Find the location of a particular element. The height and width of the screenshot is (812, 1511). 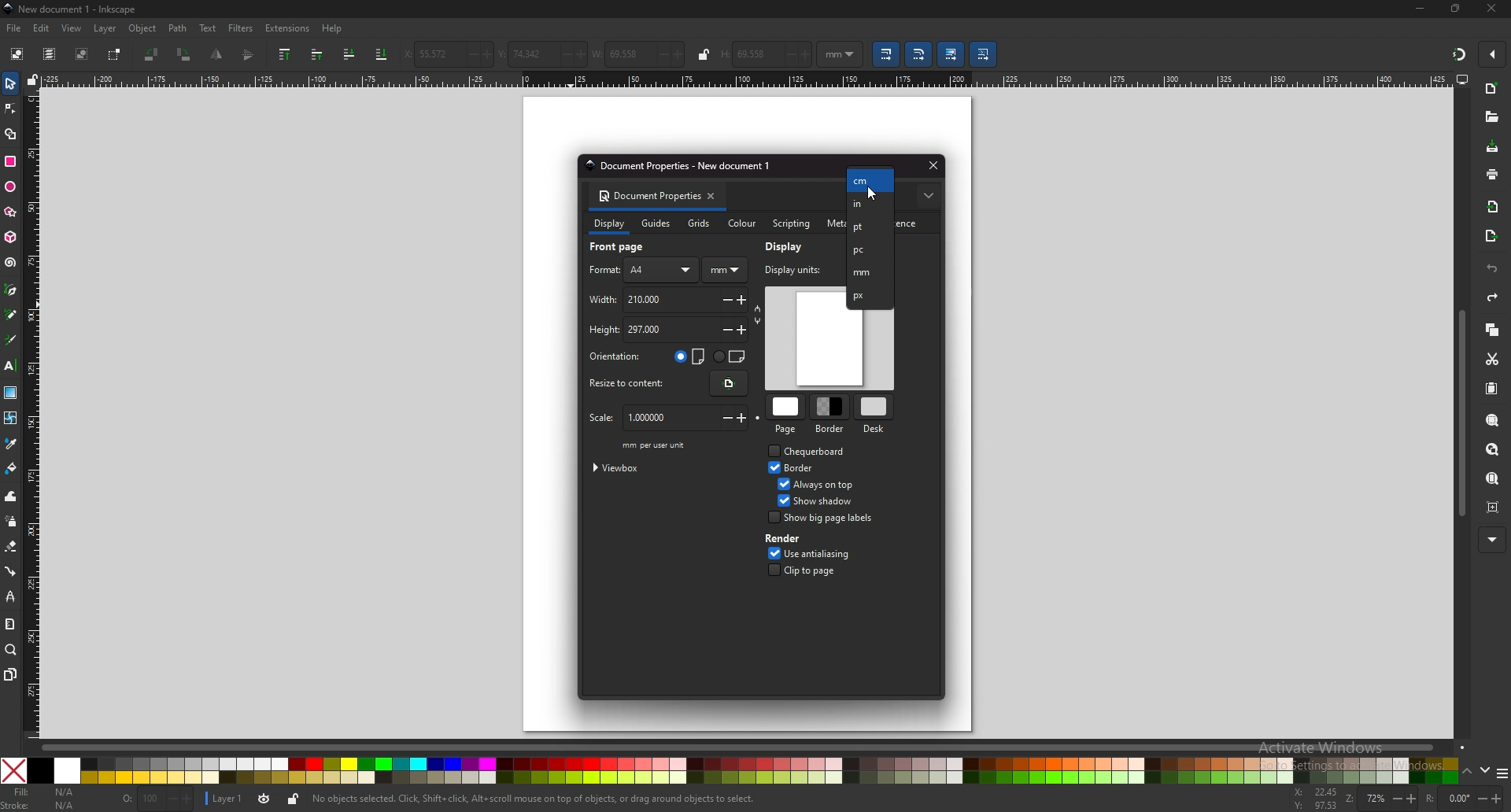

edit is located at coordinates (40, 28).